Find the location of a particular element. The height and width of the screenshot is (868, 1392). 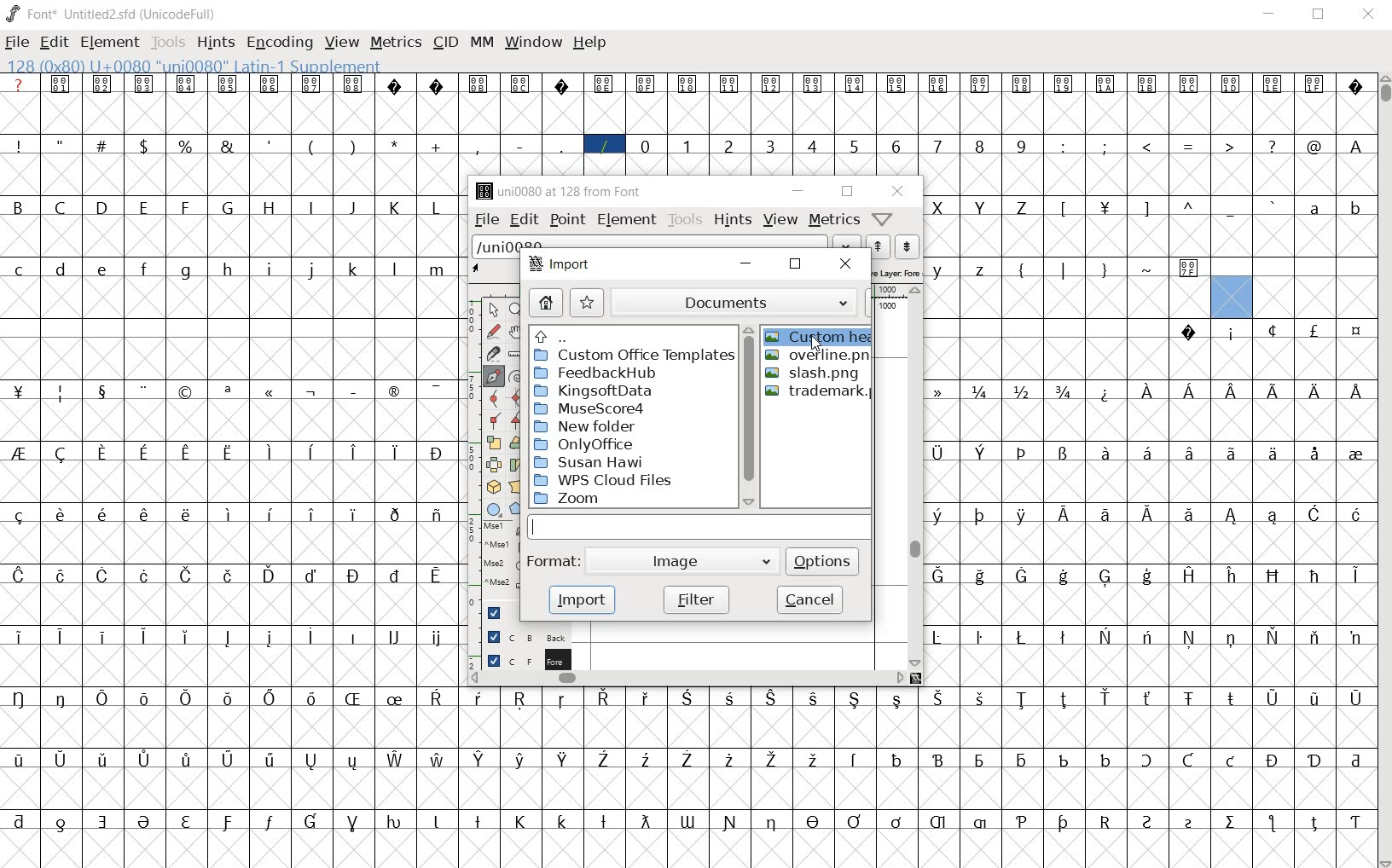

file is located at coordinates (481, 220).